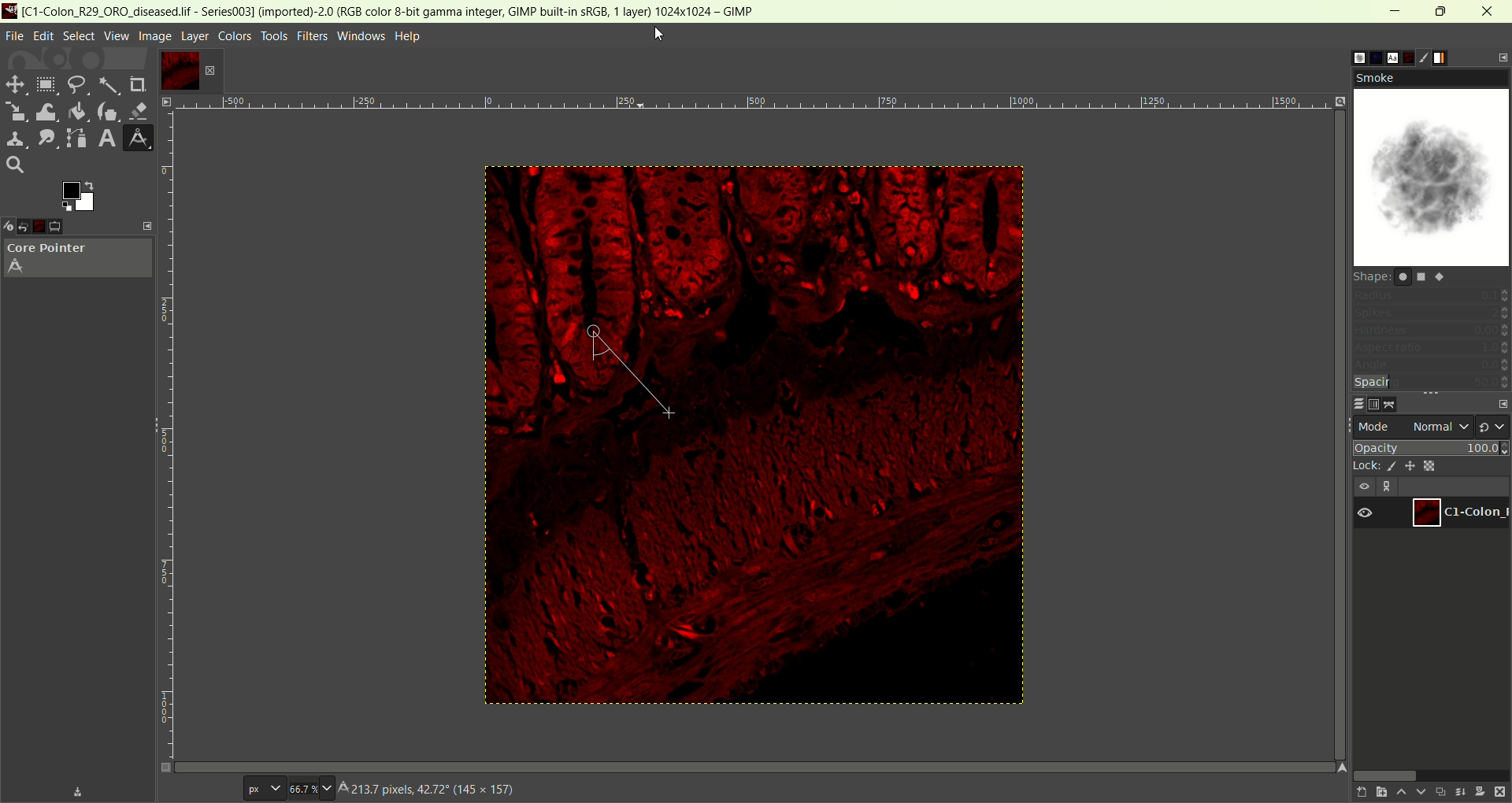  I want to click on minimum, so click(1395, 12).